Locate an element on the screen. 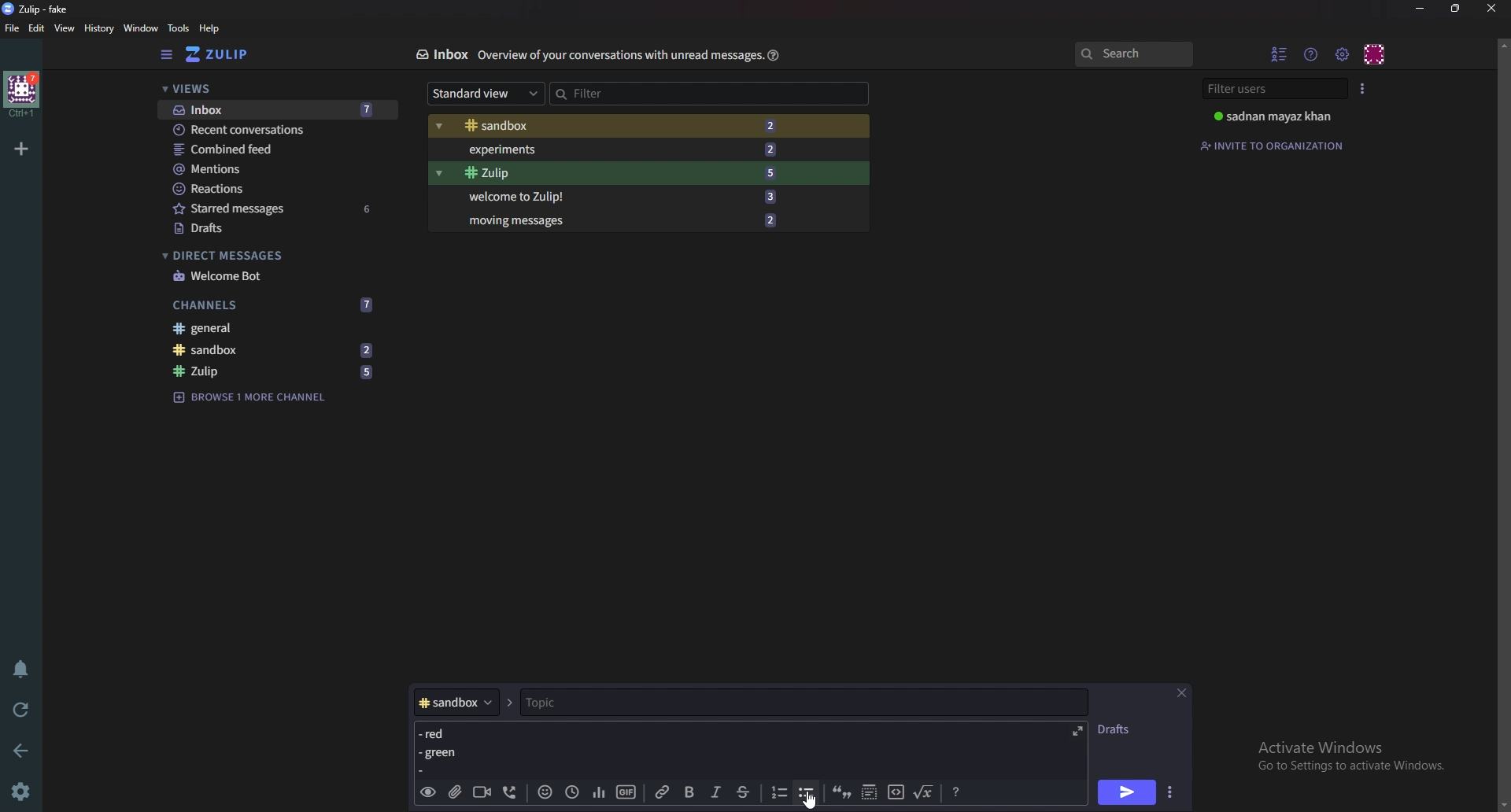  File is located at coordinates (13, 28).